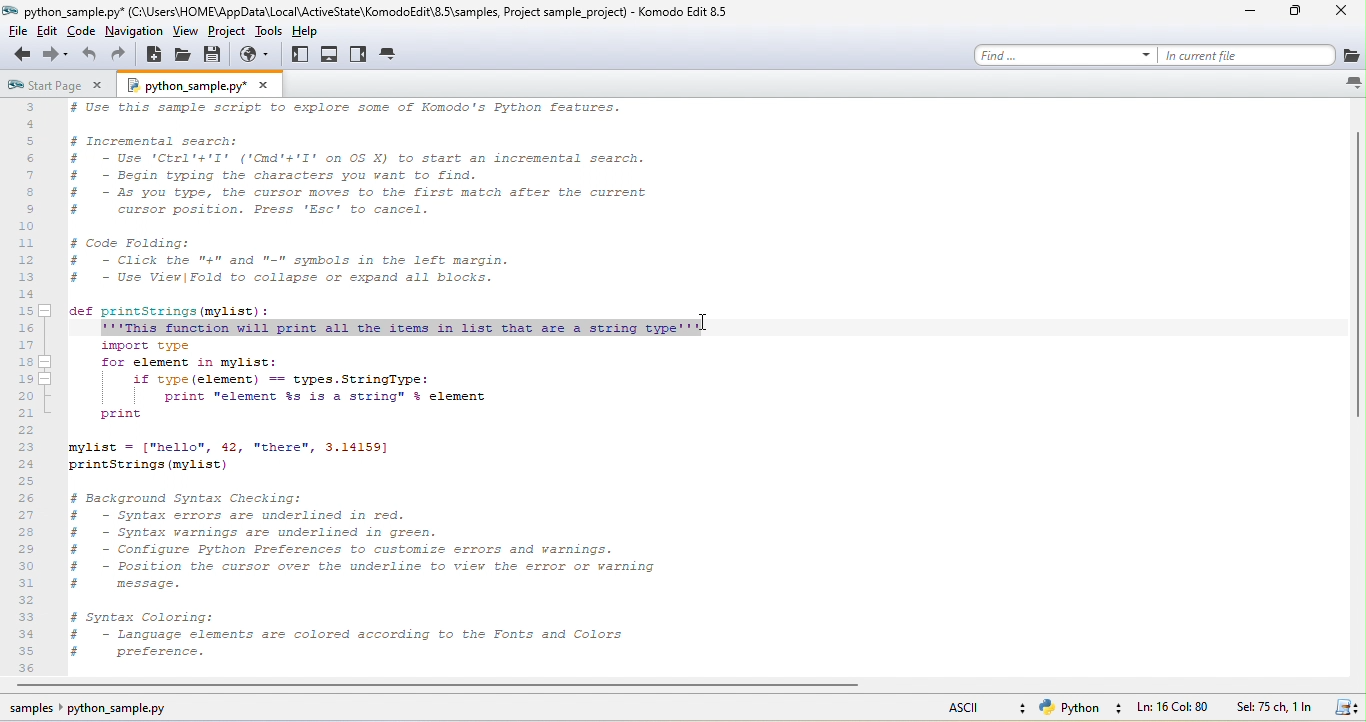 The width and height of the screenshot is (1366, 722). What do you see at coordinates (974, 709) in the screenshot?
I see `ascii` at bounding box center [974, 709].